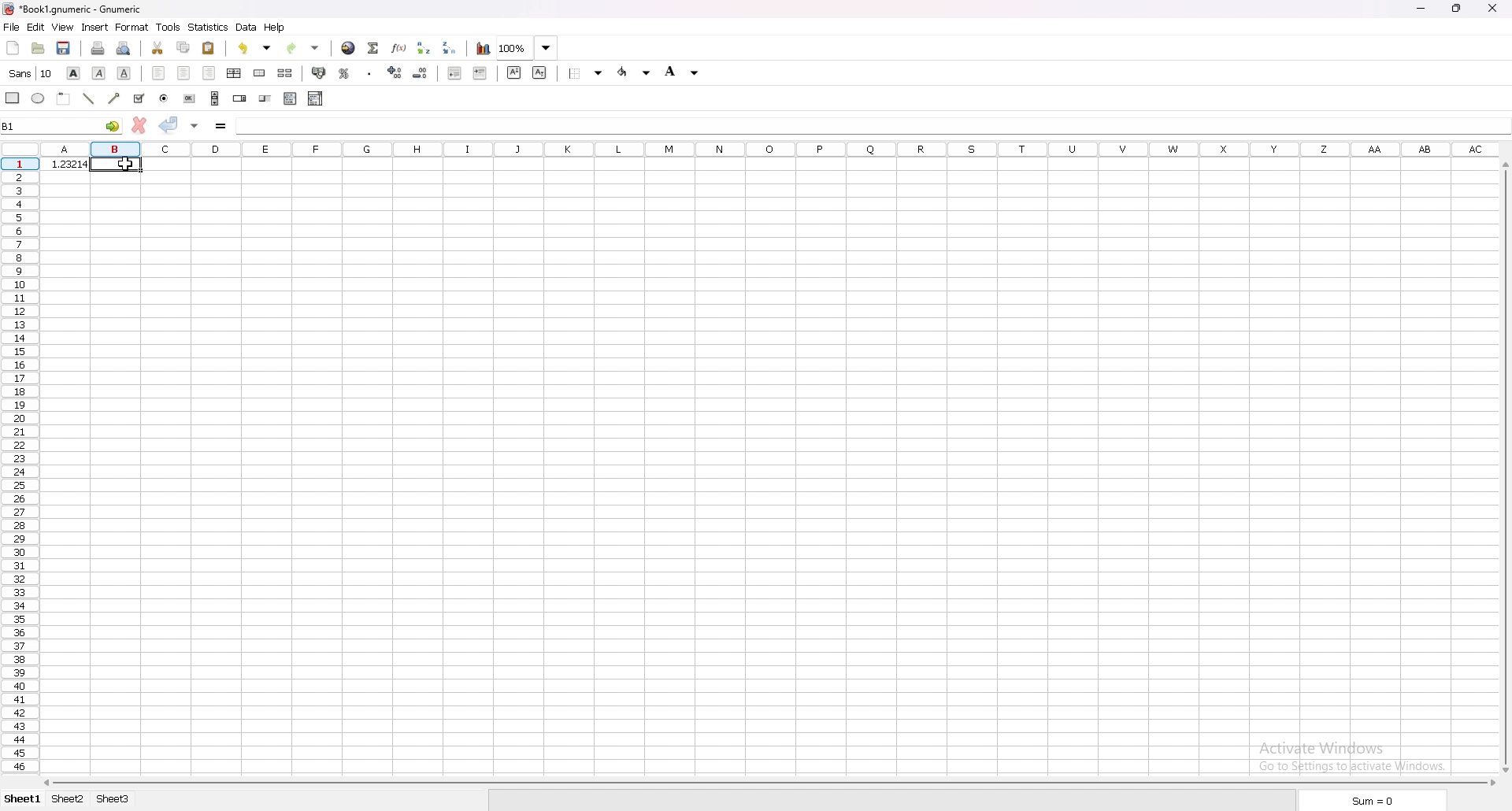 This screenshot has height=811, width=1512. Describe the element at coordinates (63, 47) in the screenshot. I see `save` at that location.